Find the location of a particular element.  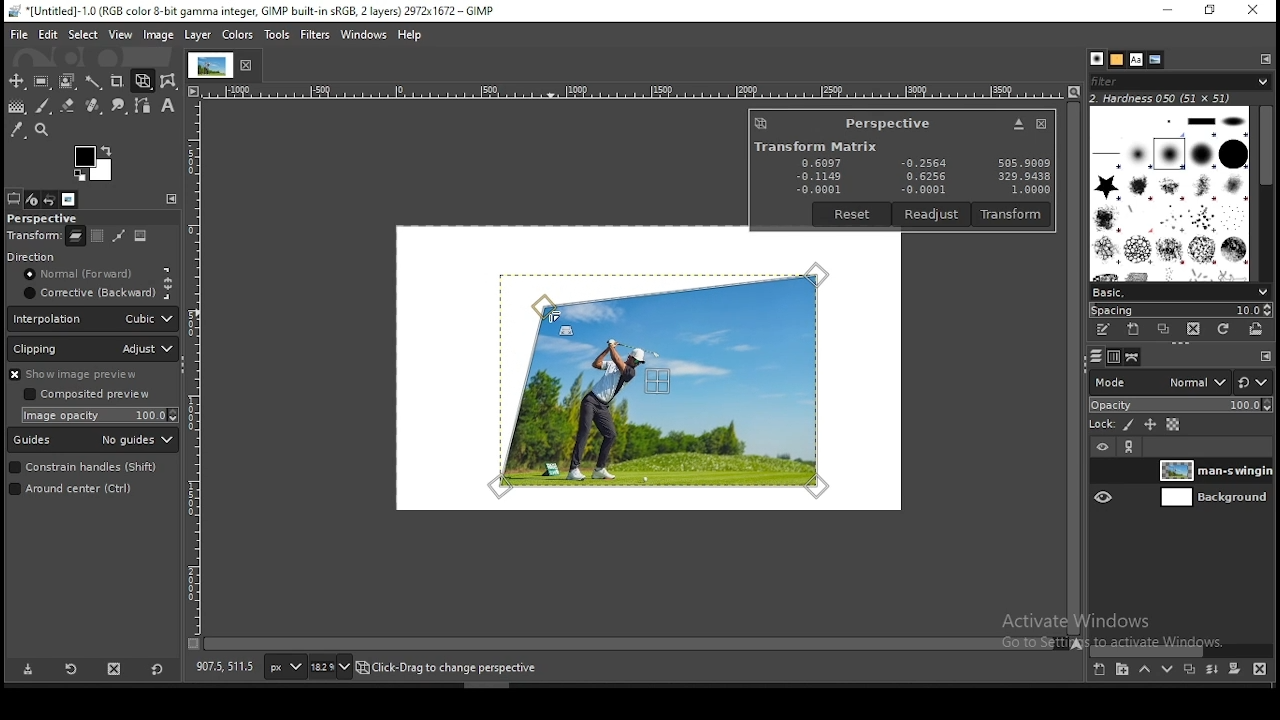

select is located at coordinates (82, 35).